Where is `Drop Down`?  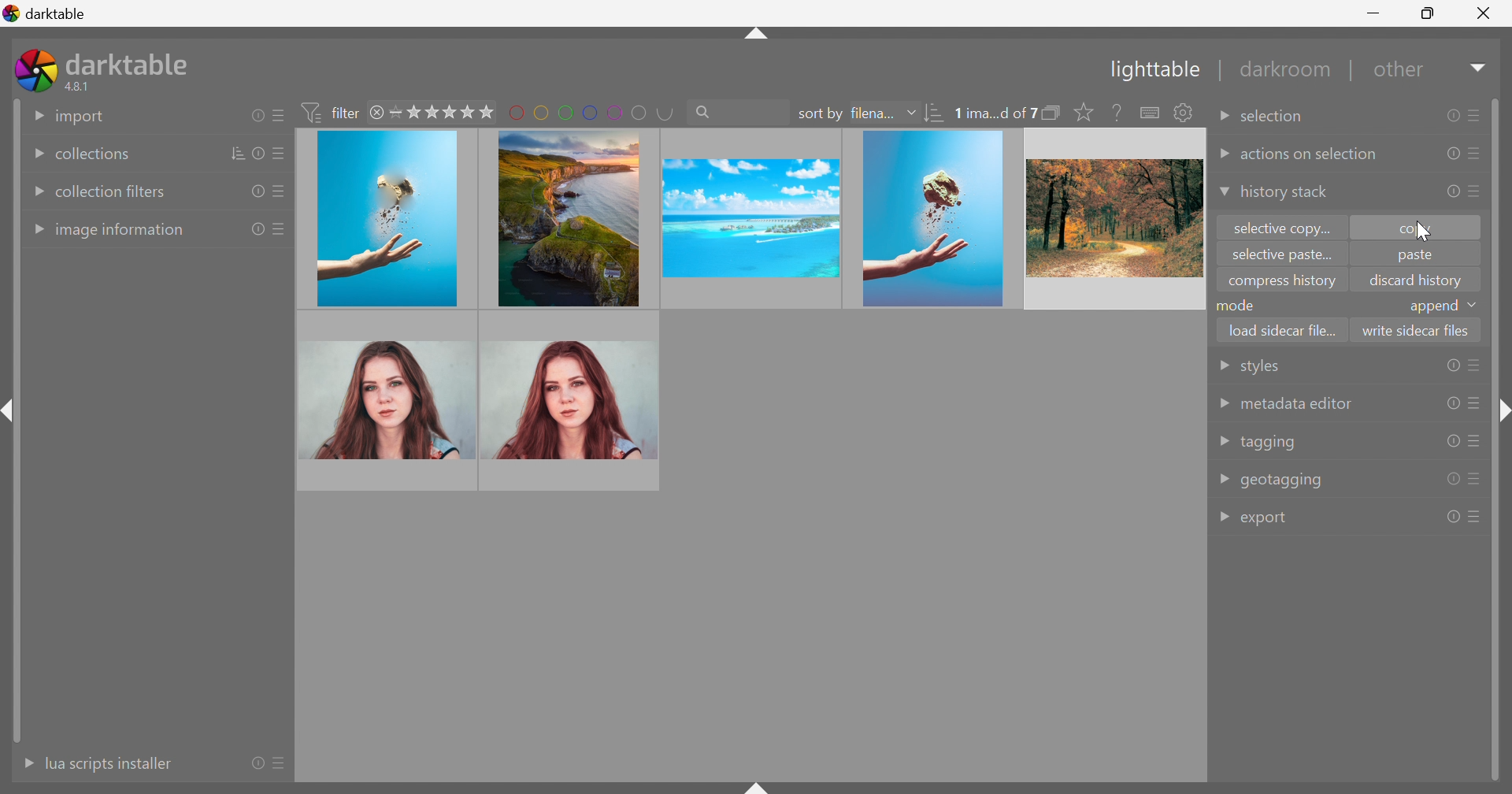 Drop Down is located at coordinates (1224, 477).